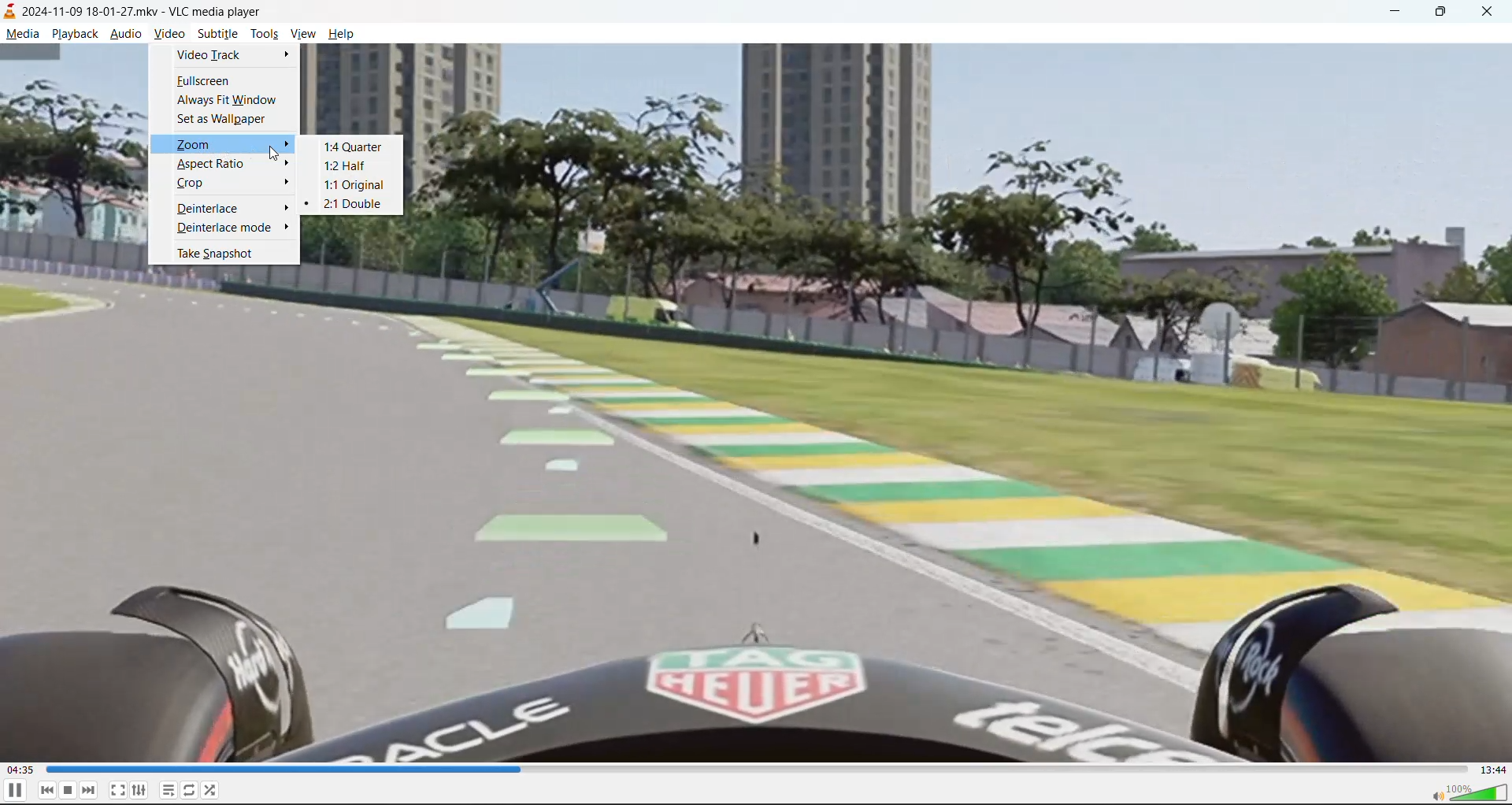  What do you see at coordinates (198, 185) in the screenshot?
I see `crop` at bounding box center [198, 185].